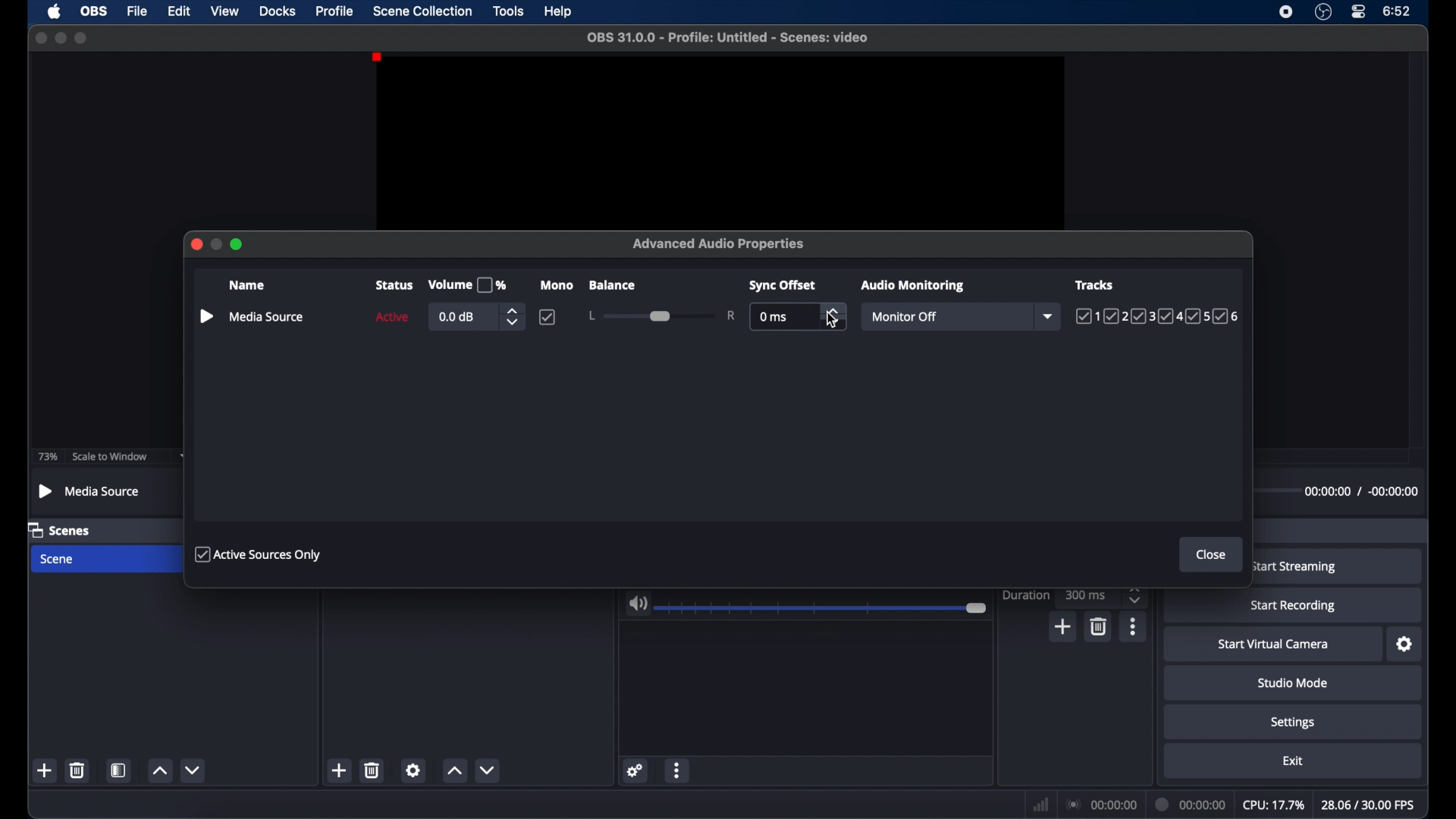 The width and height of the screenshot is (1456, 819). Describe the element at coordinates (195, 244) in the screenshot. I see `close` at that location.